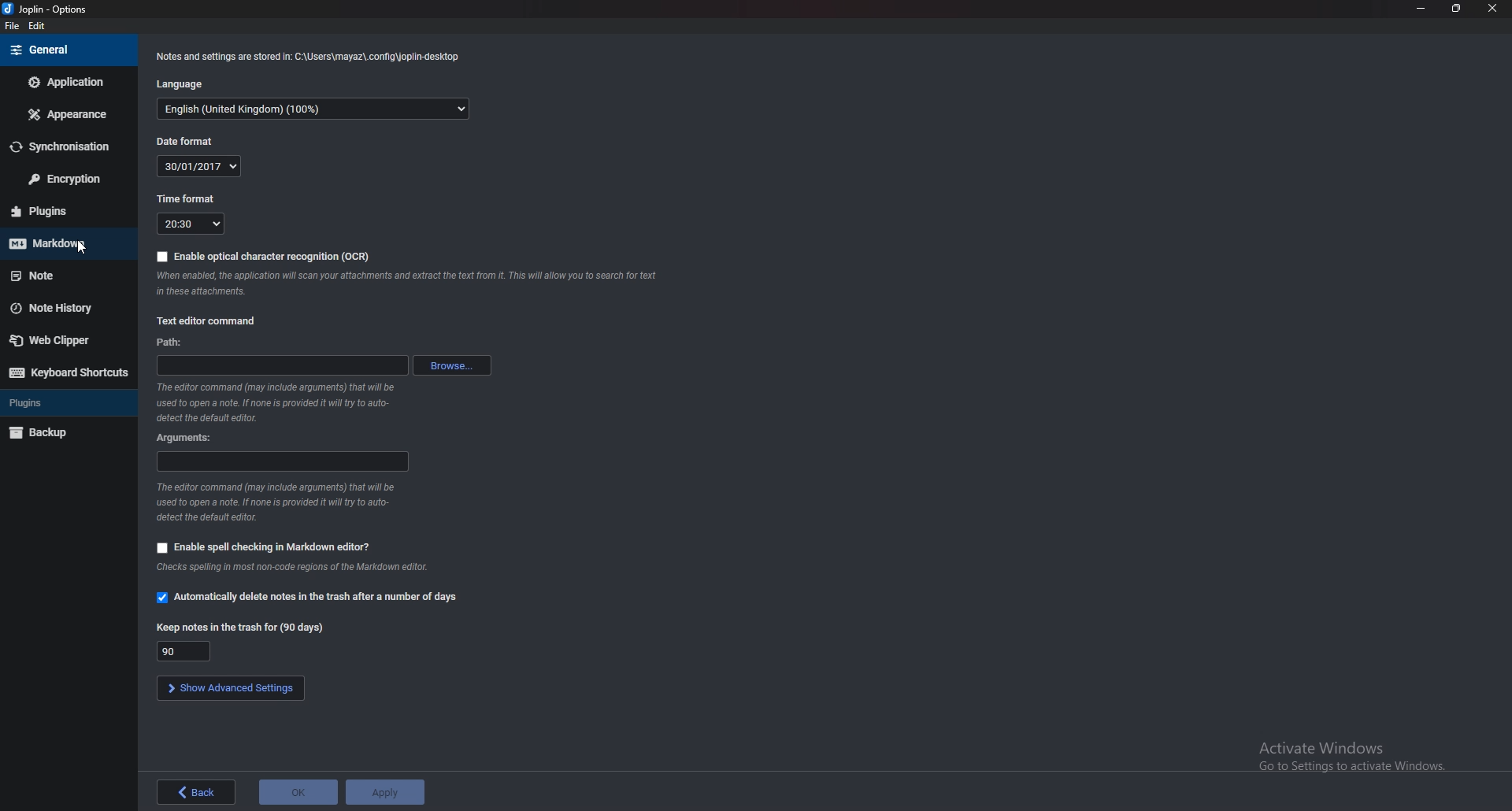  What do you see at coordinates (63, 433) in the screenshot?
I see `Back up` at bounding box center [63, 433].